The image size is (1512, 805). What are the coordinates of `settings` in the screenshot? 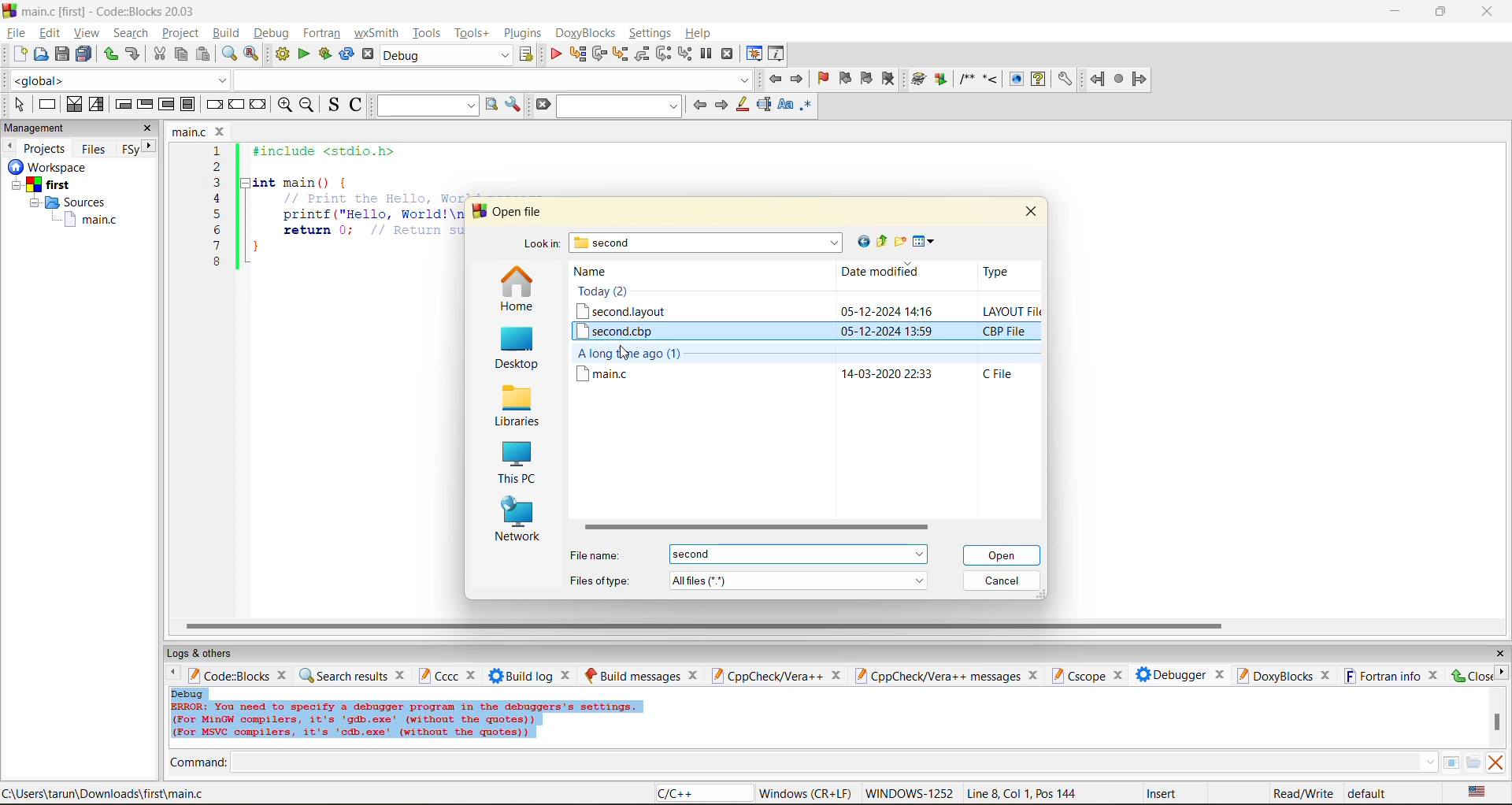 It's located at (1064, 80).